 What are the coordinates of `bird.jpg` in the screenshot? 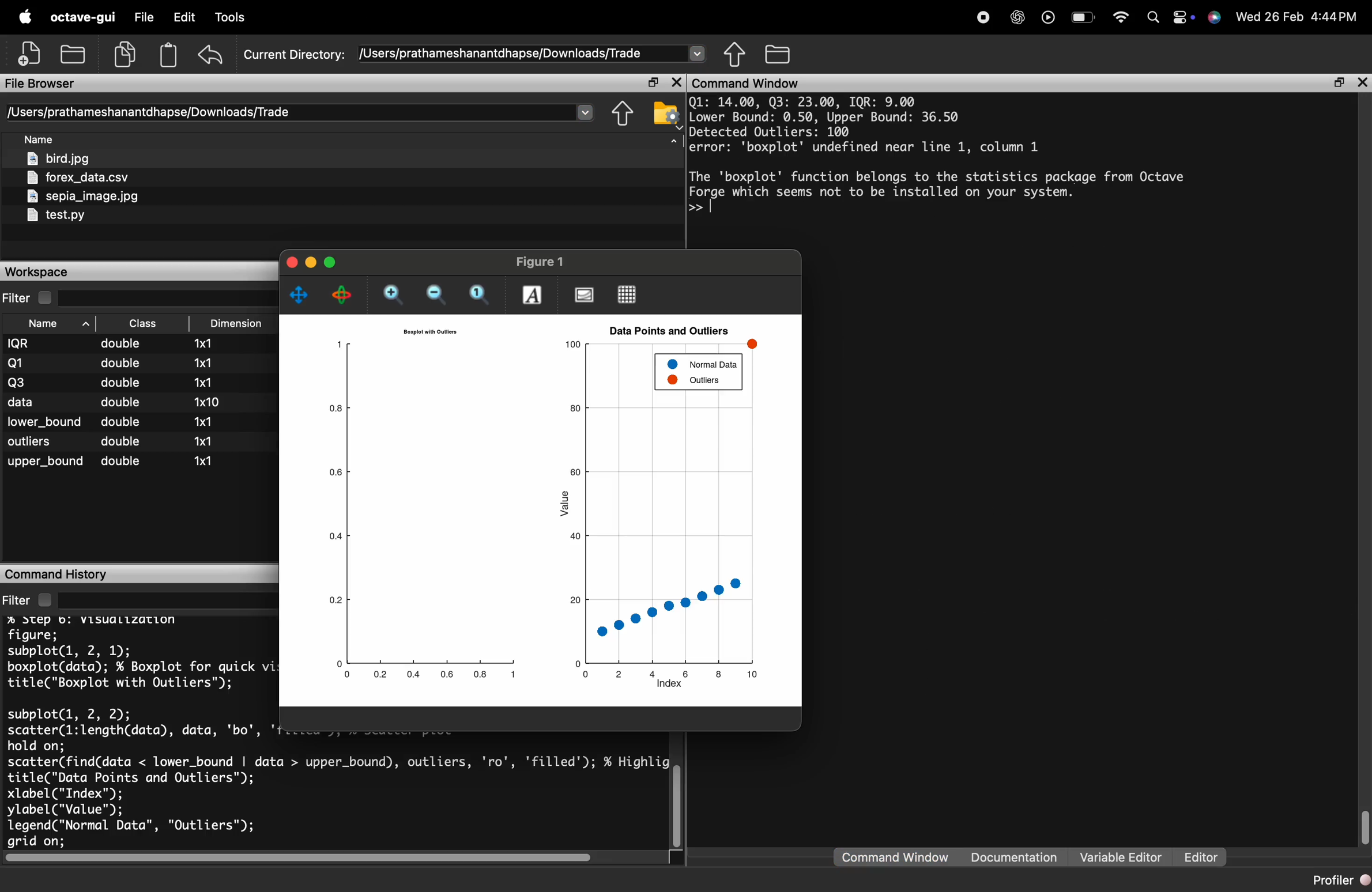 It's located at (59, 158).